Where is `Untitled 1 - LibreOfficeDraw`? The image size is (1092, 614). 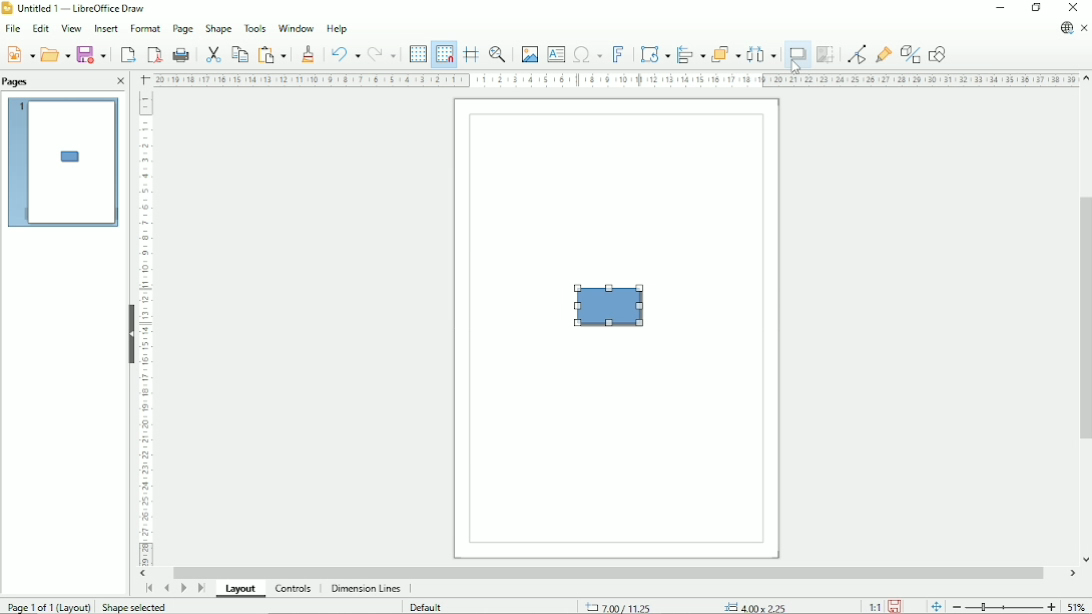
Untitled 1 - LibreOfficeDraw is located at coordinates (76, 7).